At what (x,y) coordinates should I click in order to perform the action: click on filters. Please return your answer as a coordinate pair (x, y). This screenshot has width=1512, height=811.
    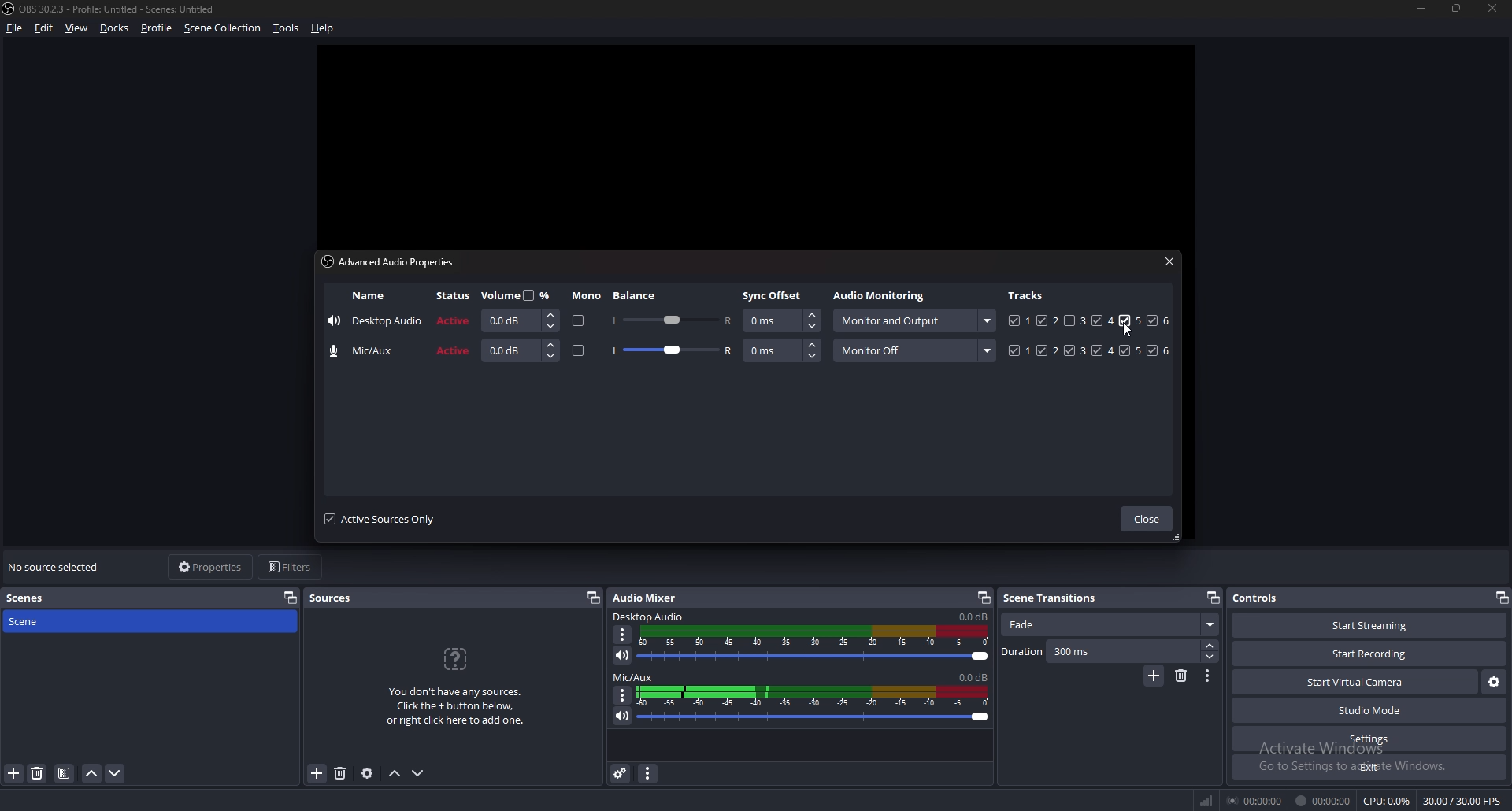
    Looking at the image, I should click on (293, 567).